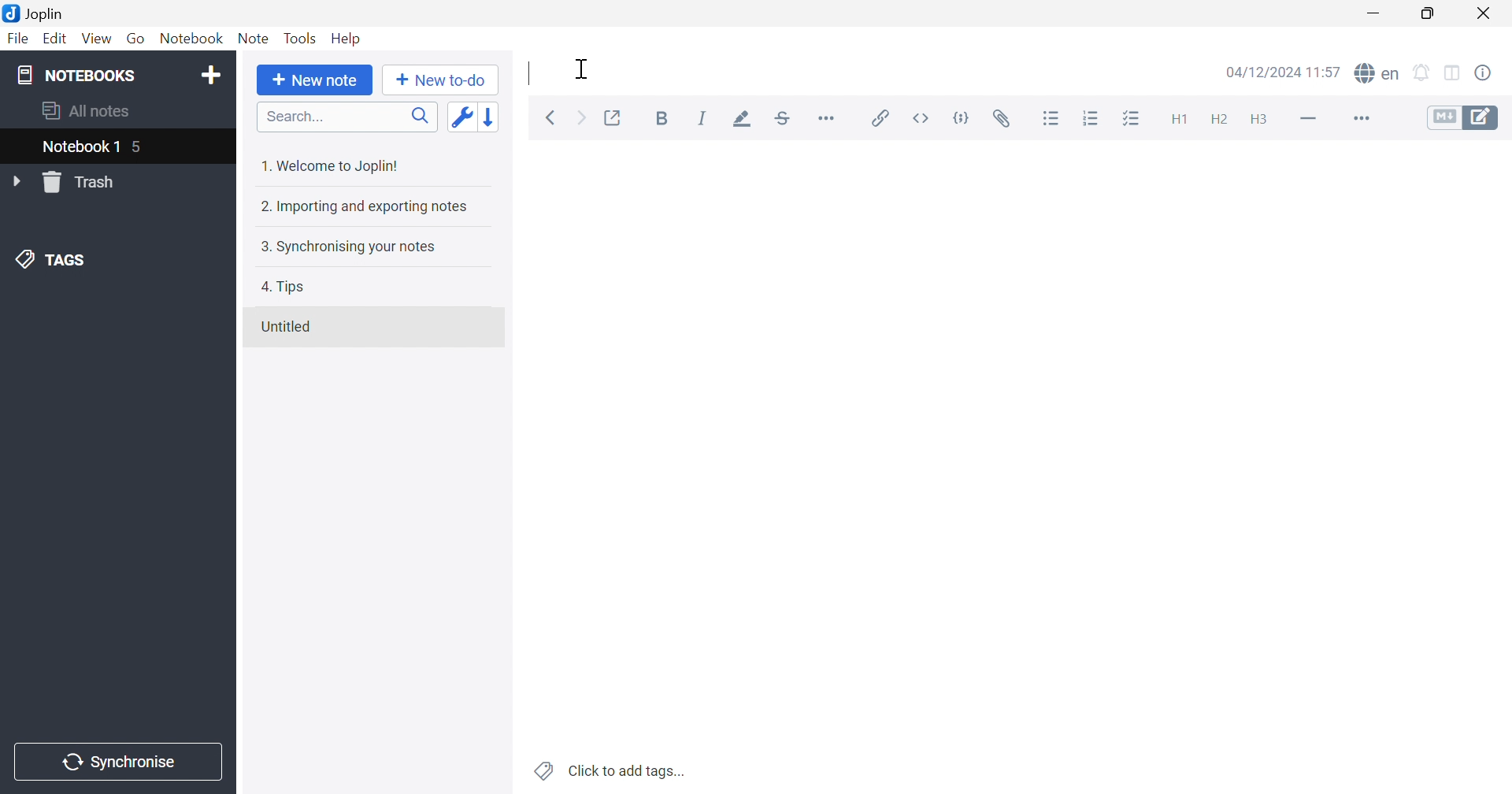 The height and width of the screenshot is (794, 1512). Describe the element at coordinates (56, 39) in the screenshot. I see `Edit` at that location.